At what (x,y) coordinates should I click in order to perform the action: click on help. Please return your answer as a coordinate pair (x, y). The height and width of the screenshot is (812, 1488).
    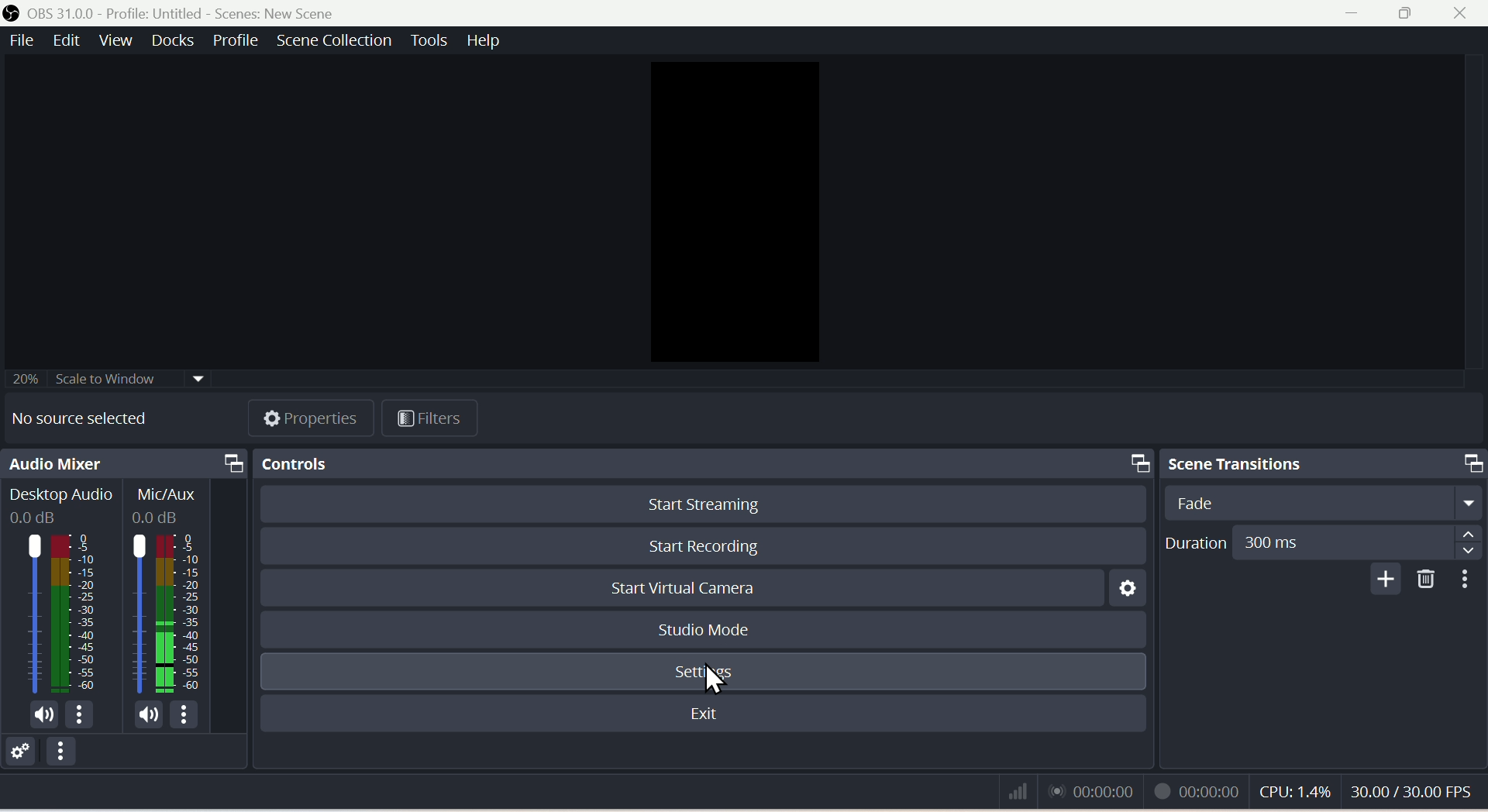
    Looking at the image, I should click on (491, 40).